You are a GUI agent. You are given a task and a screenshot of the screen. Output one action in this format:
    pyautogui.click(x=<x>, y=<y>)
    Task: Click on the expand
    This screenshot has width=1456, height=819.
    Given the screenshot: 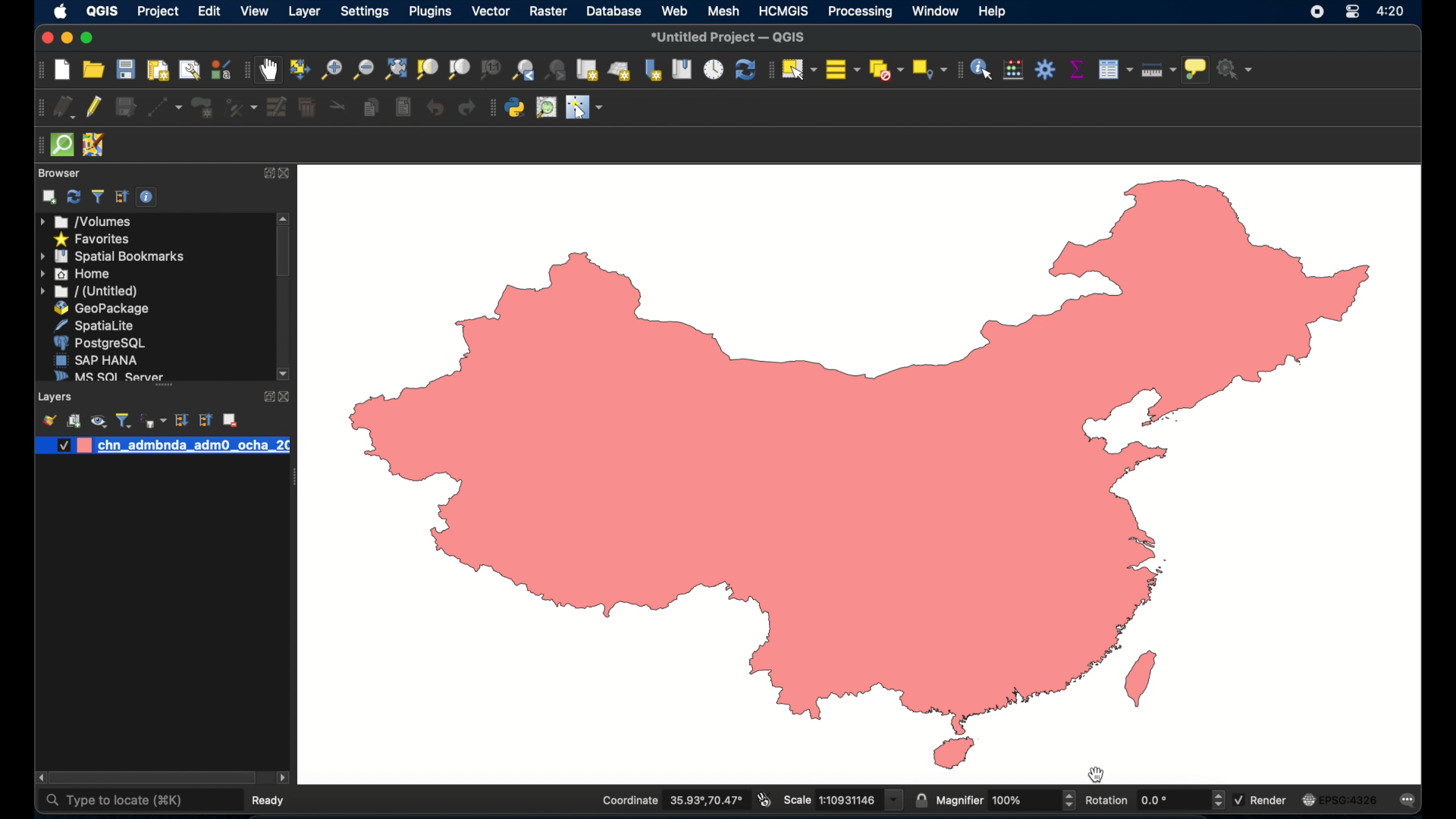 What is the action you would take?
    pyautogui.click(x=268, y=174)
    